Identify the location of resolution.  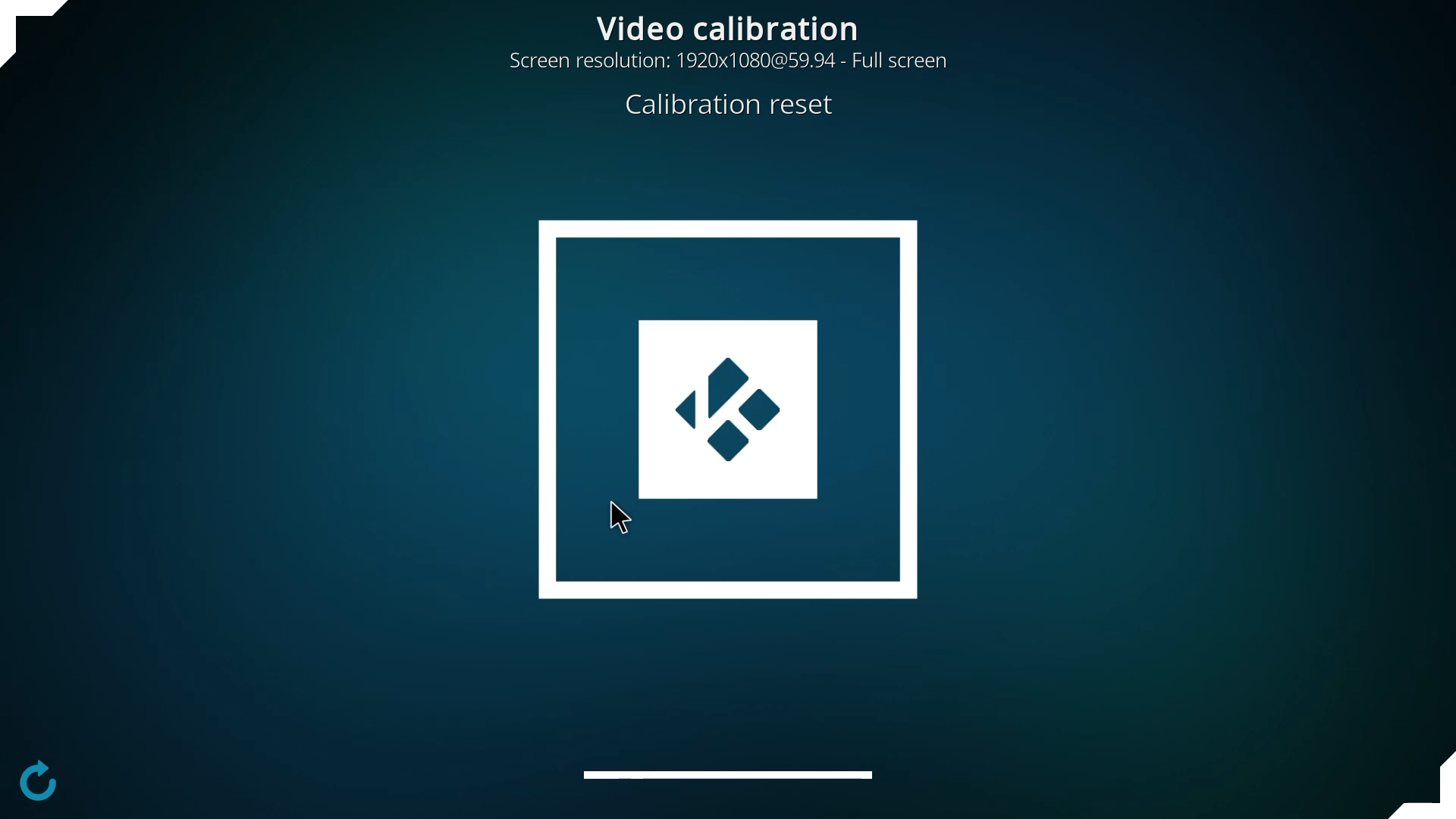
(733, 60).